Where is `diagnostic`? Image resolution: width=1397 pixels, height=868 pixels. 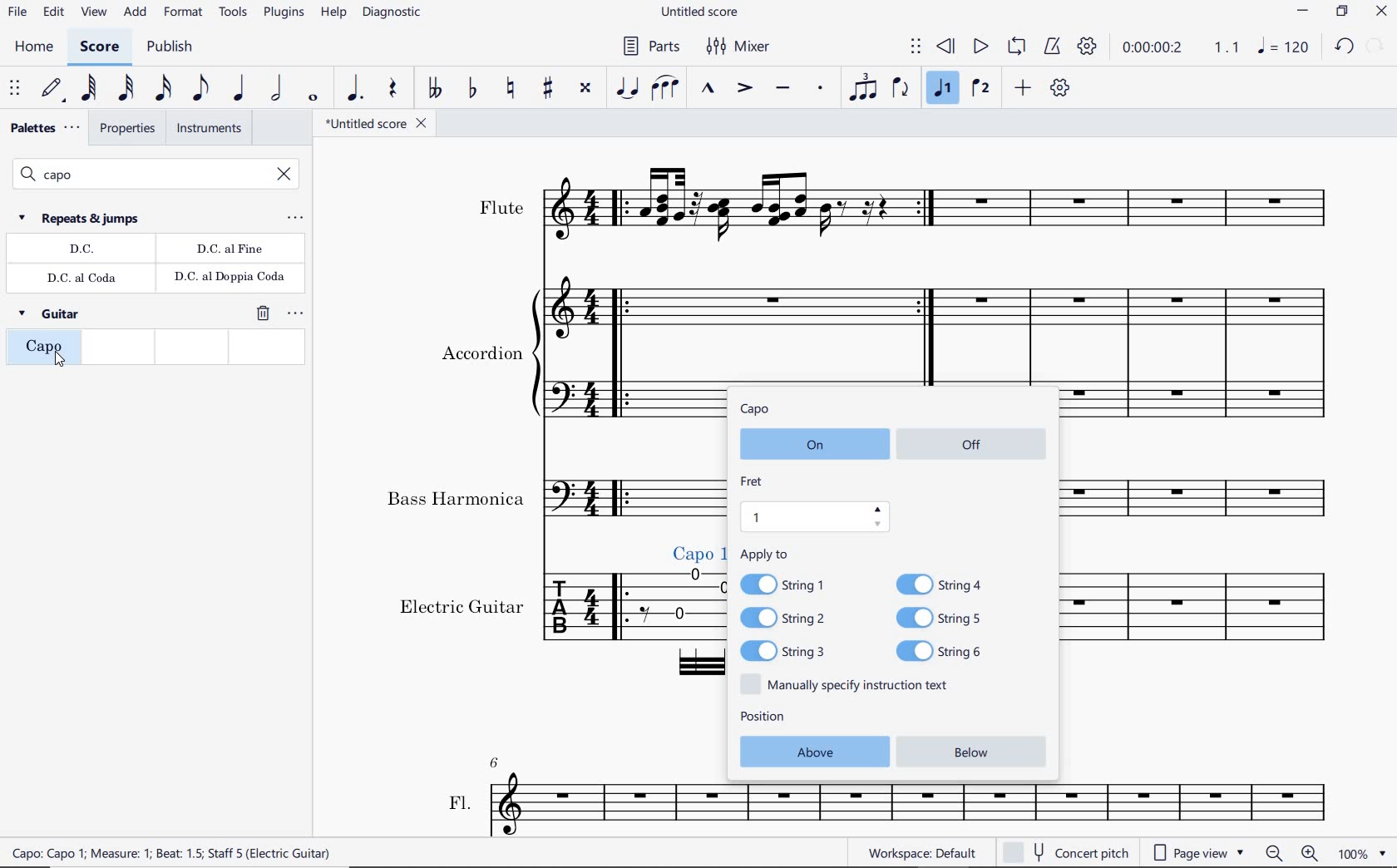
diagnostic is located at coordinates (391, 15).